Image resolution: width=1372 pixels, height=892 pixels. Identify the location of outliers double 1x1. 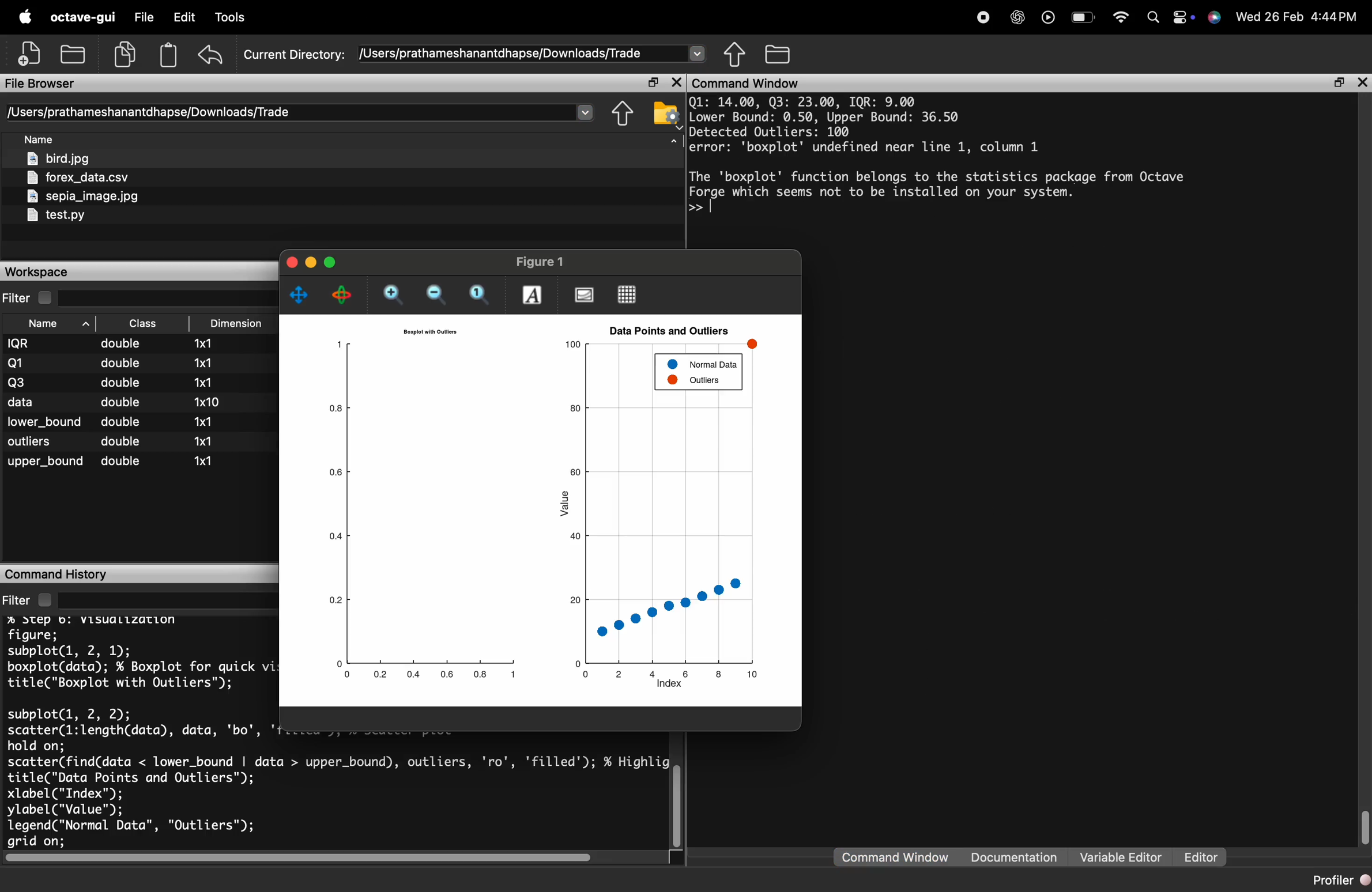
(111, 442).